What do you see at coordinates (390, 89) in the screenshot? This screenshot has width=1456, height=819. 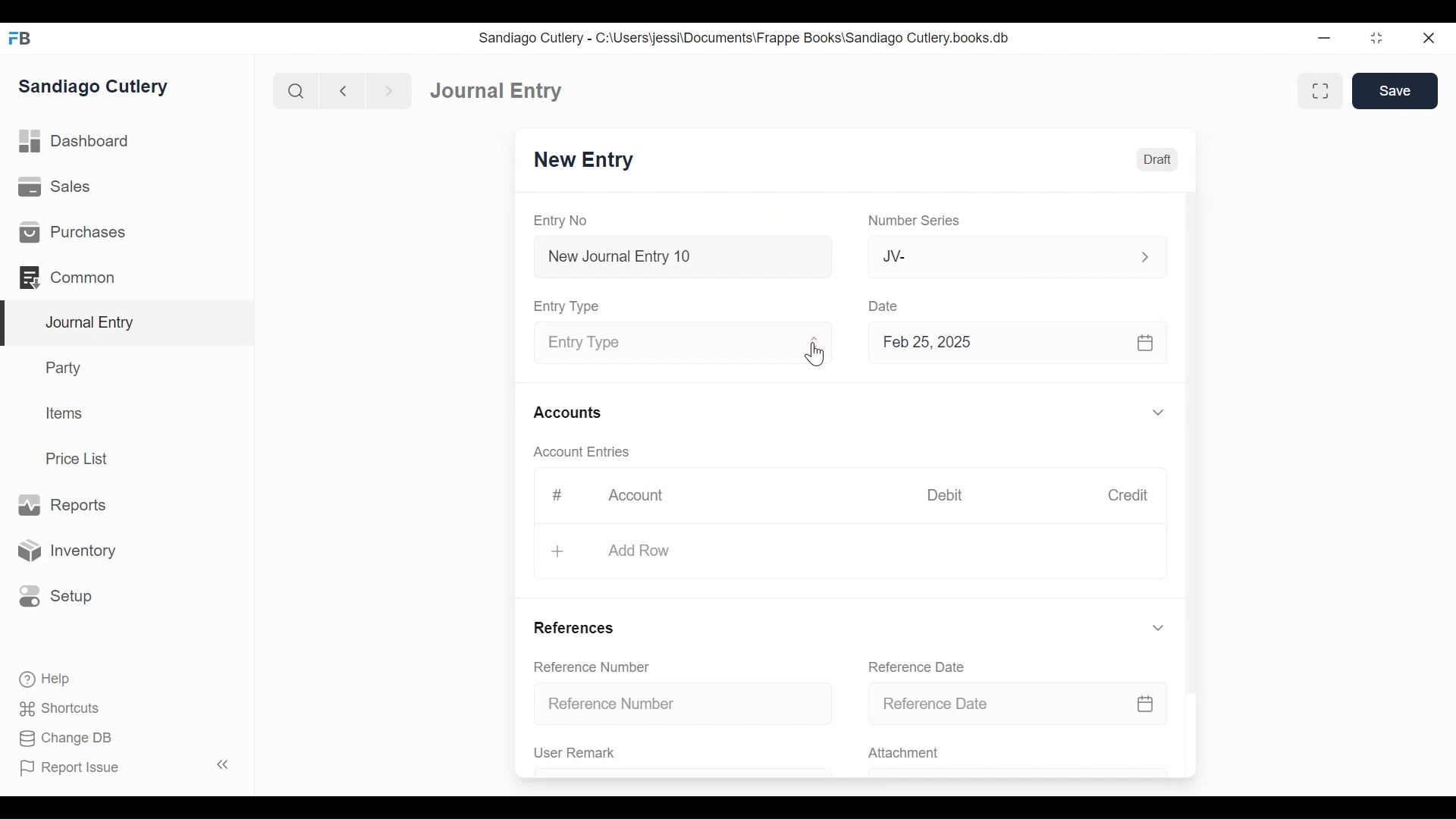 I see `Navigate Forward` at bounding box center [390, 89].